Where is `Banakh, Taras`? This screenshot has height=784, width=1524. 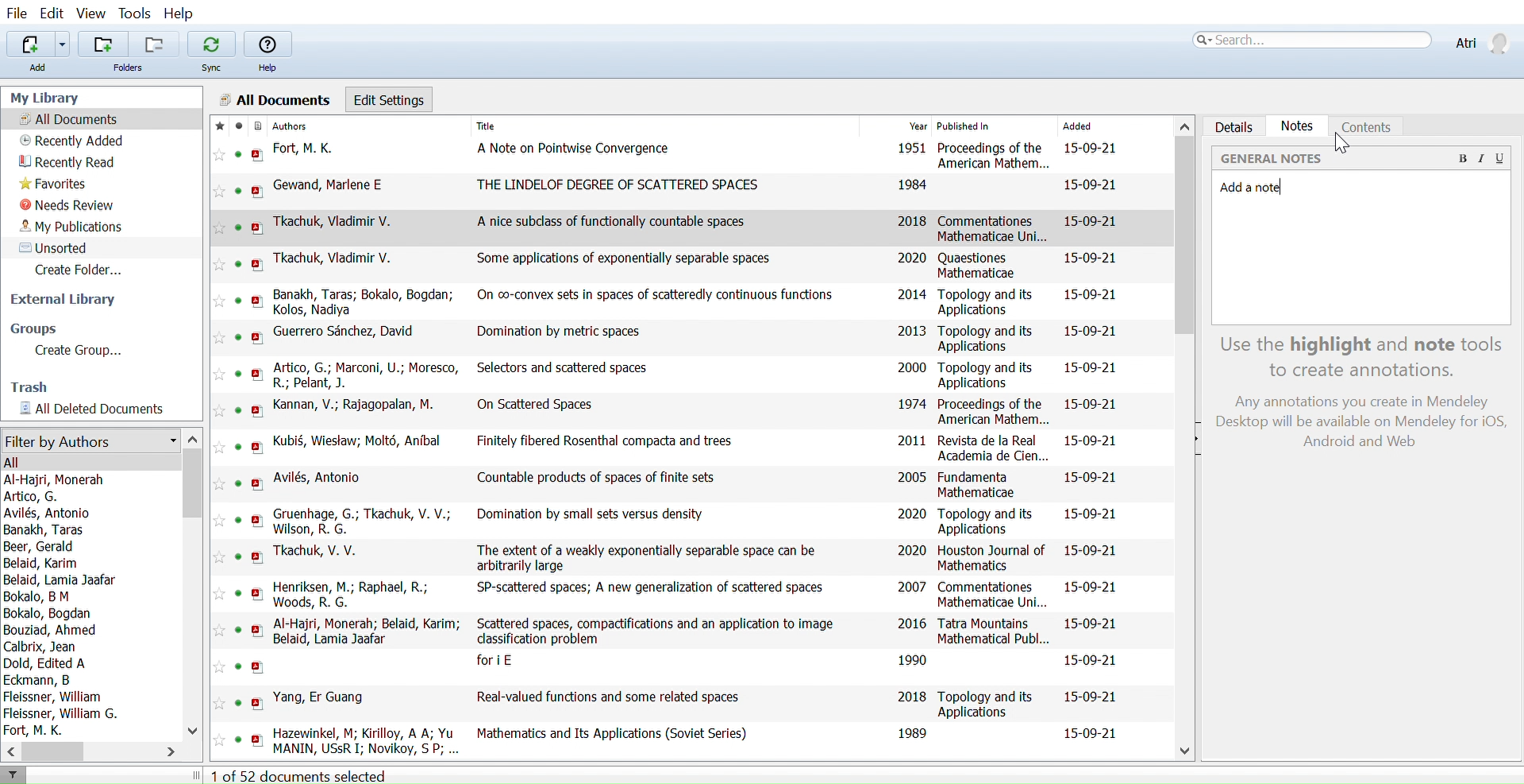 Banakh, Taras is located at coordinates (47, 530).